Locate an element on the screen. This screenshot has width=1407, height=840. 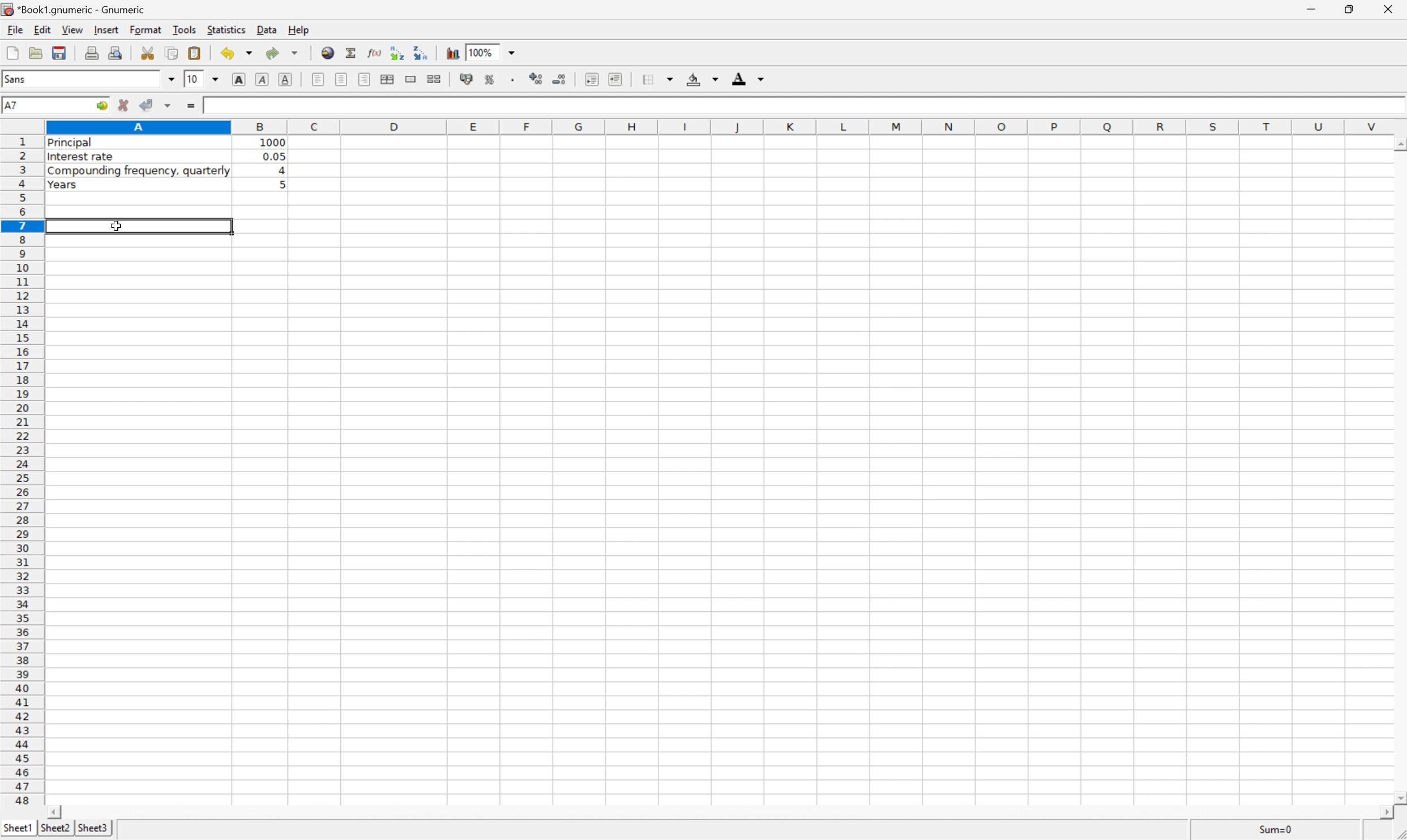
A7 is located at coordinates (13, 104).